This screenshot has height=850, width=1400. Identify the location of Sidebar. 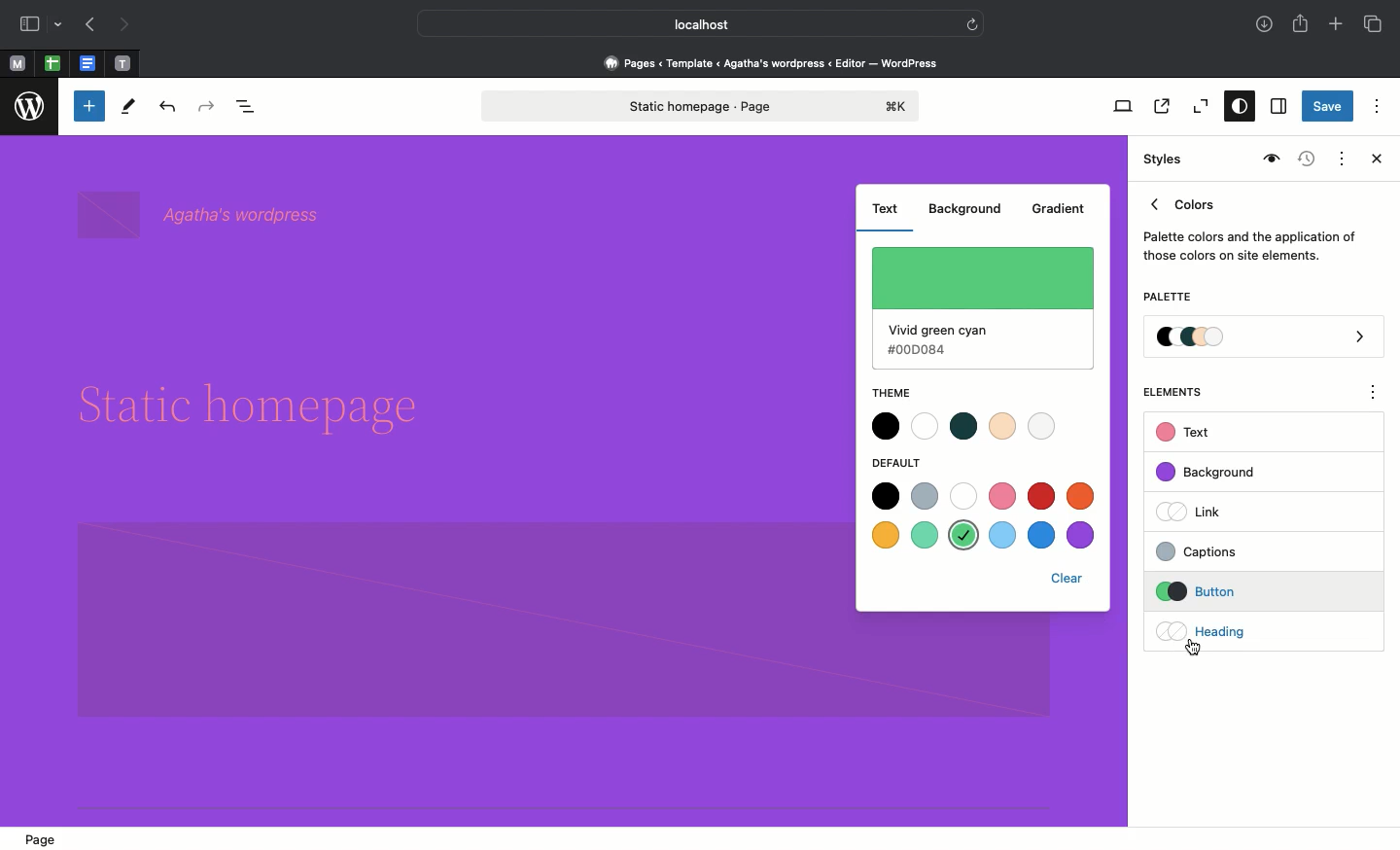
(29, 24).